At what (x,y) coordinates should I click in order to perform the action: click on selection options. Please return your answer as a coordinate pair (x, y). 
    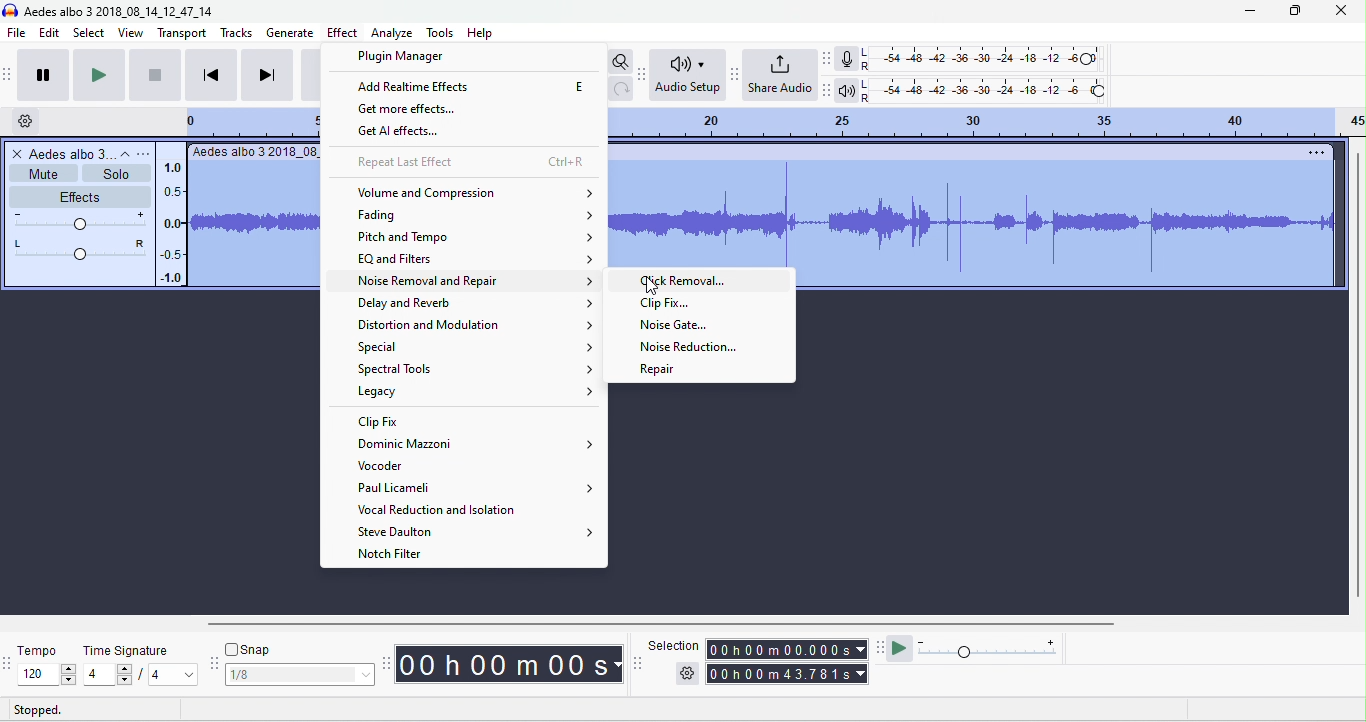
    Looking at the image, I should click on (687, 672).